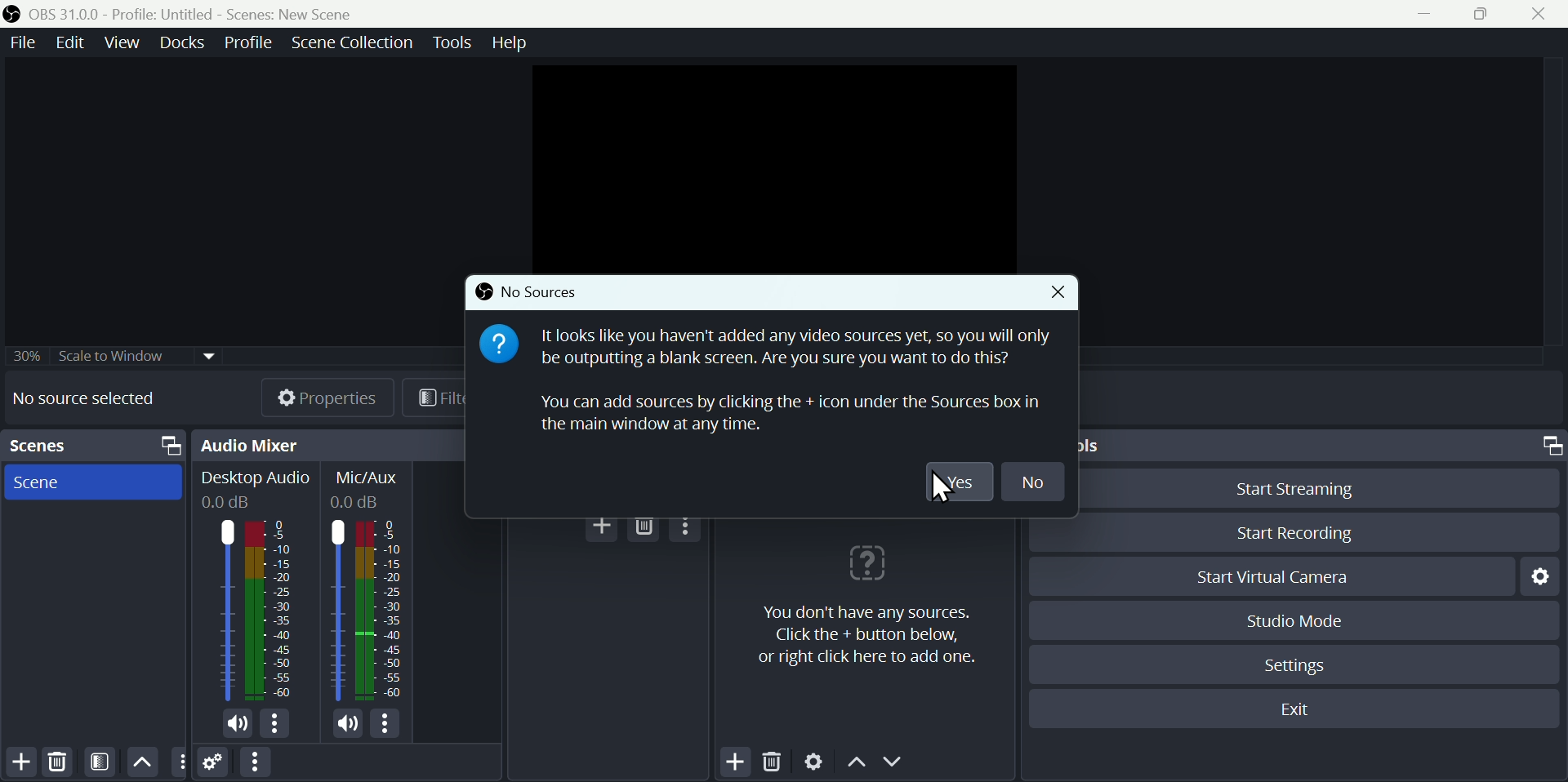  I want to click on add, so click(20, 762).